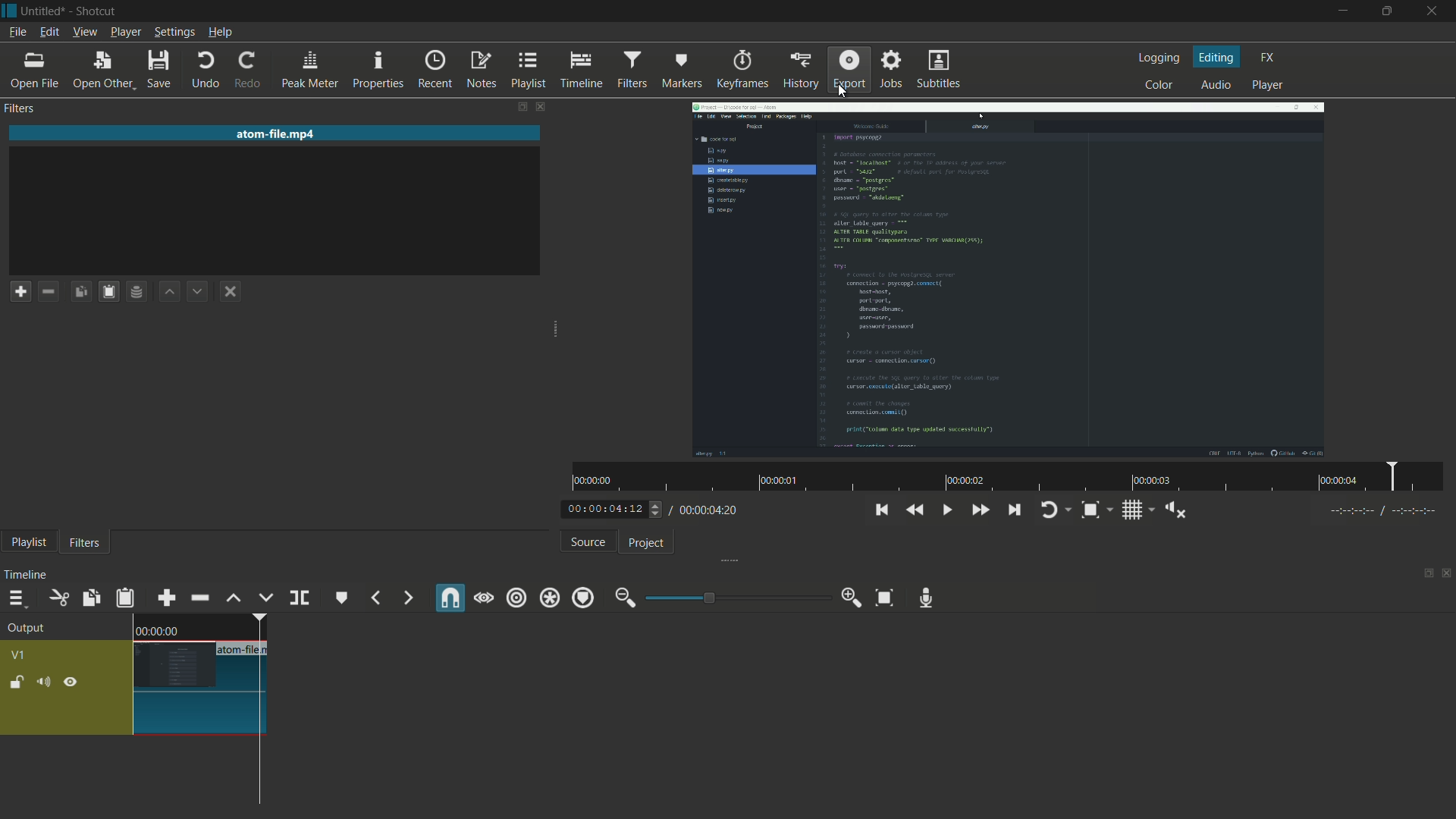 The width and height of the screenshot is (1456, 819). What do you see at coordinates (374, 599) in the screenshot?
I see `previous marker` at bounding box center [374, 599].